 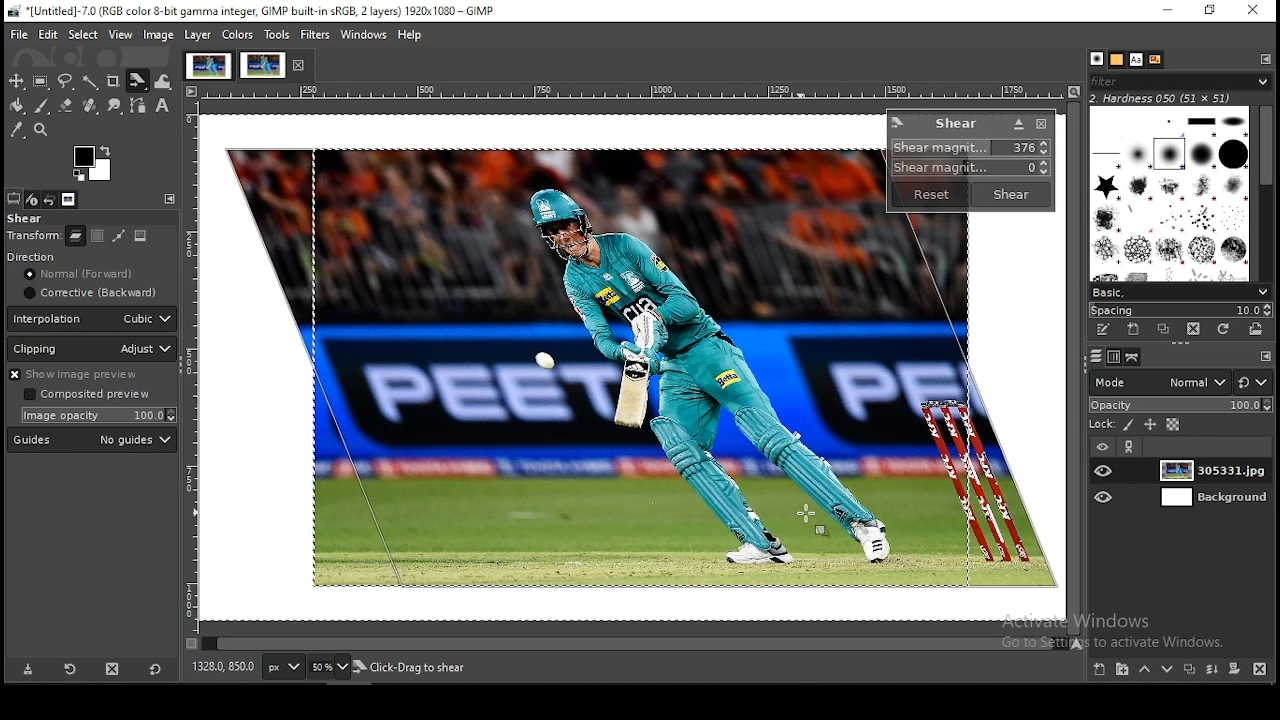 I want to click on shear magnitude, so click(x=967, y=169).